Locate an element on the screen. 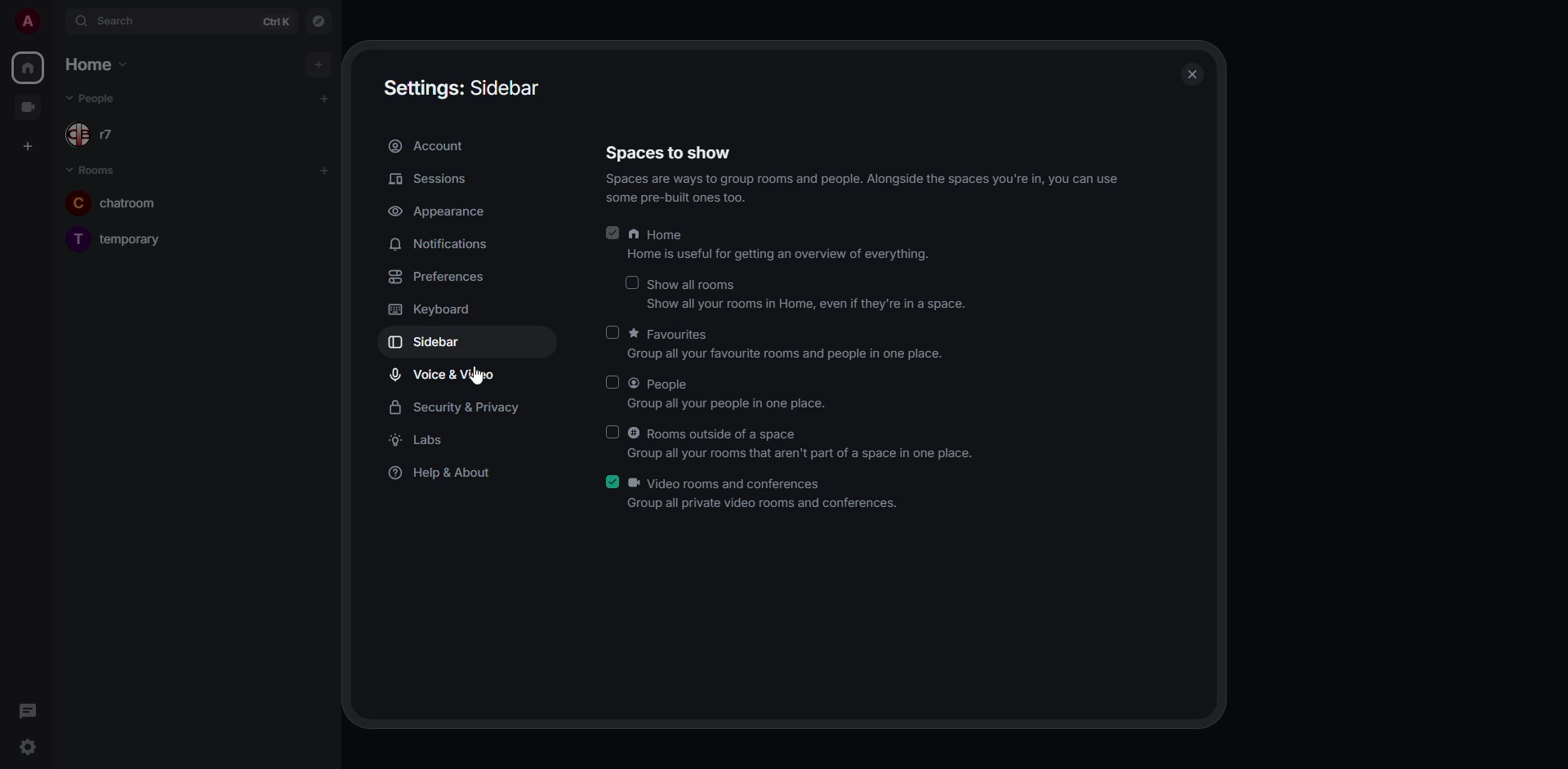 Image resolution: width=1568 pixels, height=769 pixels. click to enable is located at coordinates (614, 333).